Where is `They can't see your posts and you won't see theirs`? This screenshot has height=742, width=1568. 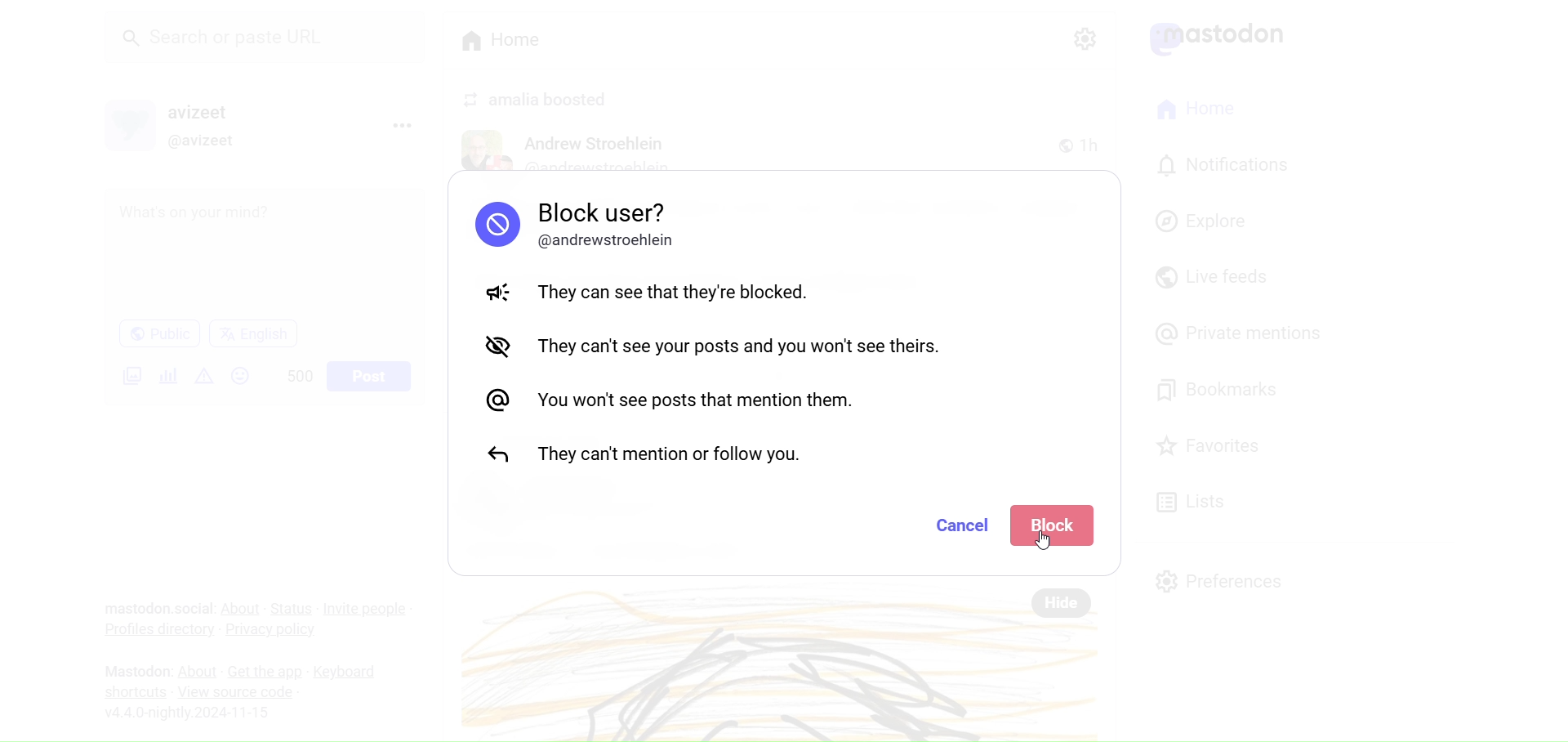 They can't see your posts and you won't see theirs is located at coordinates (790, 345).